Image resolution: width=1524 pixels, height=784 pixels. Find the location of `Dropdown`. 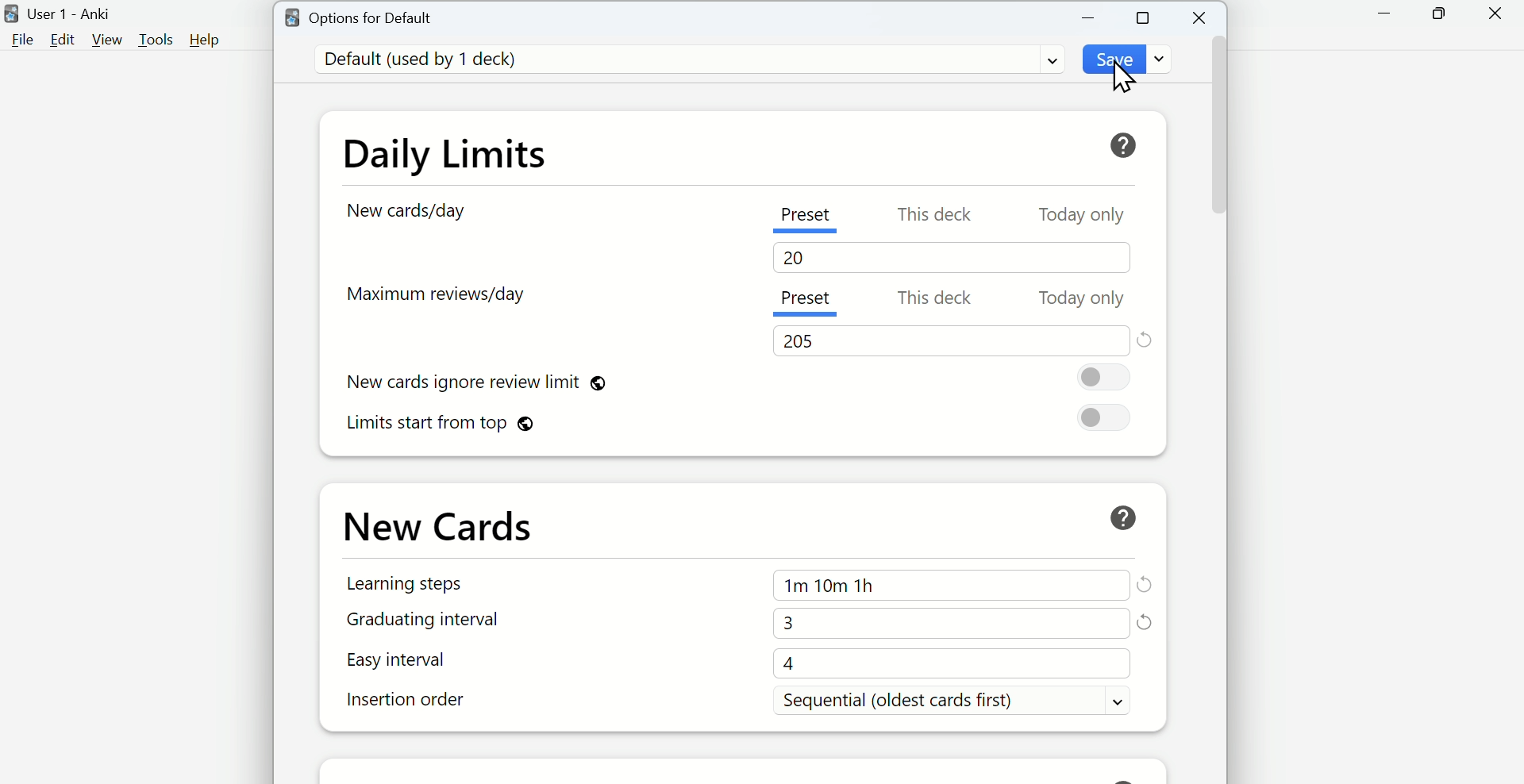

Dropdown is located at coordinates (1166, 56).